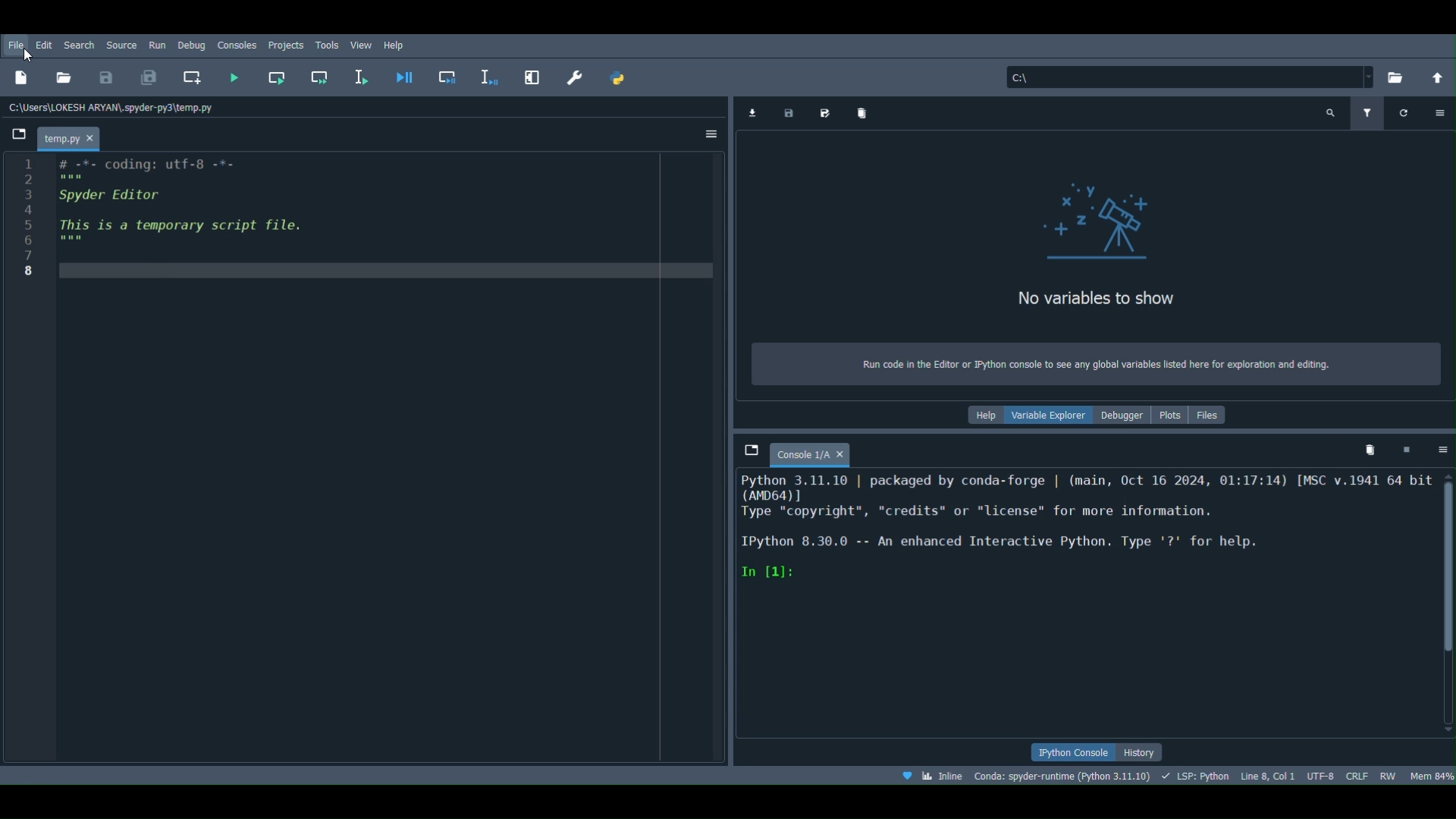  Describe the element at coordinates (237, 42) in the screenshot. I see `Consoles` at that location.